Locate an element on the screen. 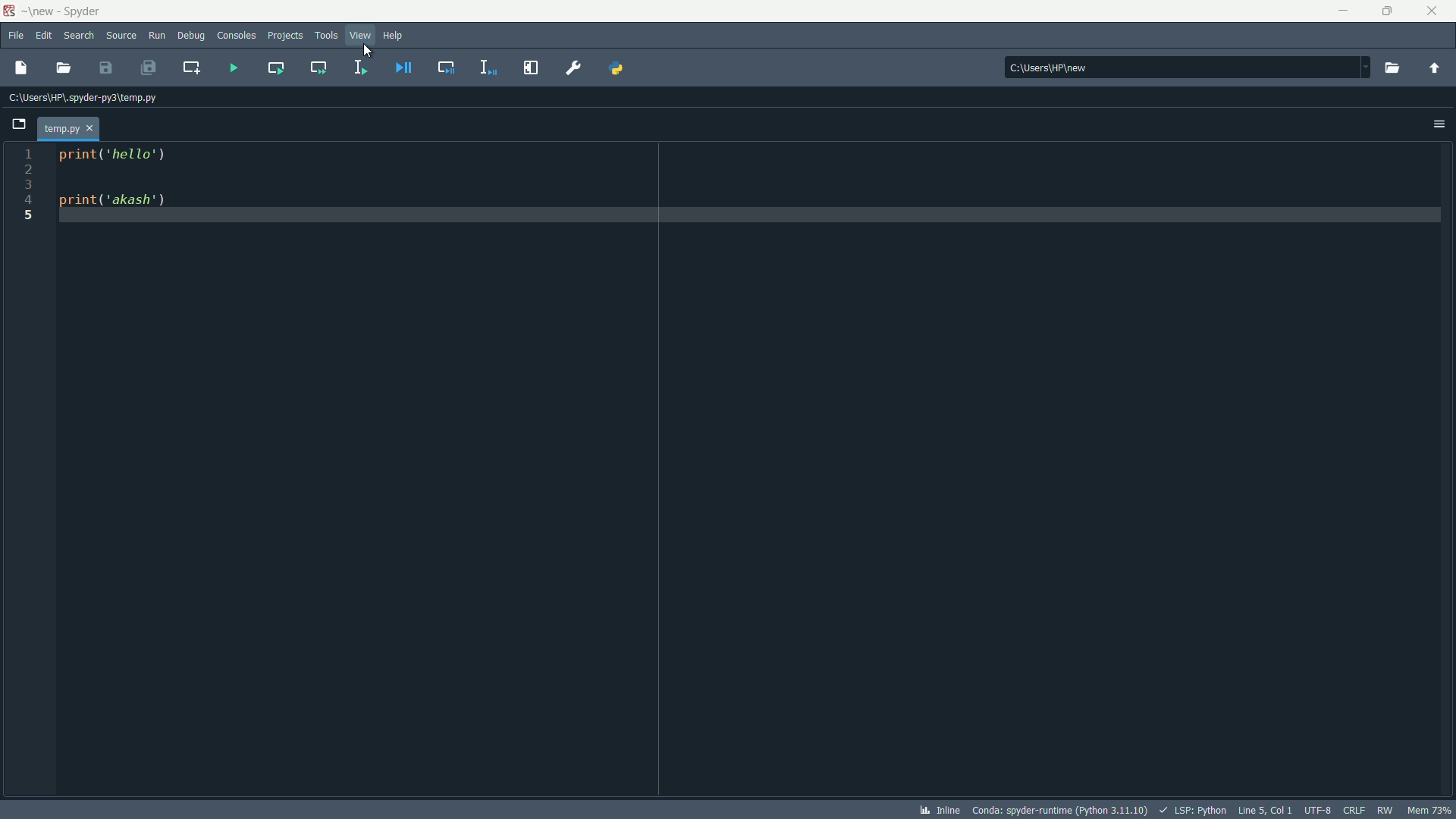 The width and height of the screenshot is (1456, 819). cursor is located at coordinates (371, 50).